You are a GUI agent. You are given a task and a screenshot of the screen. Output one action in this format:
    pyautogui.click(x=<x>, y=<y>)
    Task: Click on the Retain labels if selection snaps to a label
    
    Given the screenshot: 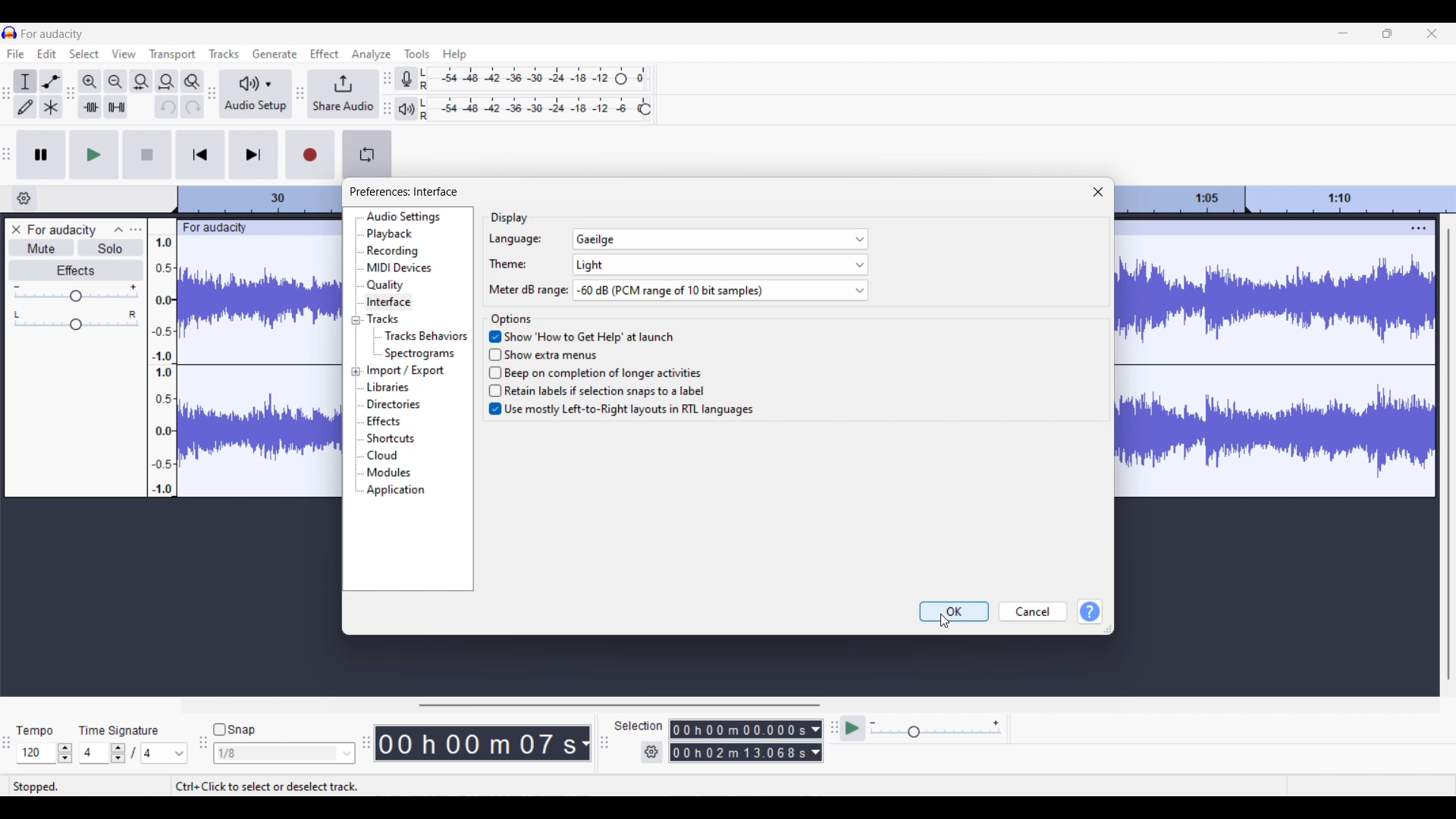 What is the action you would take?
    pyautogui.click(x=604, y=391)
    